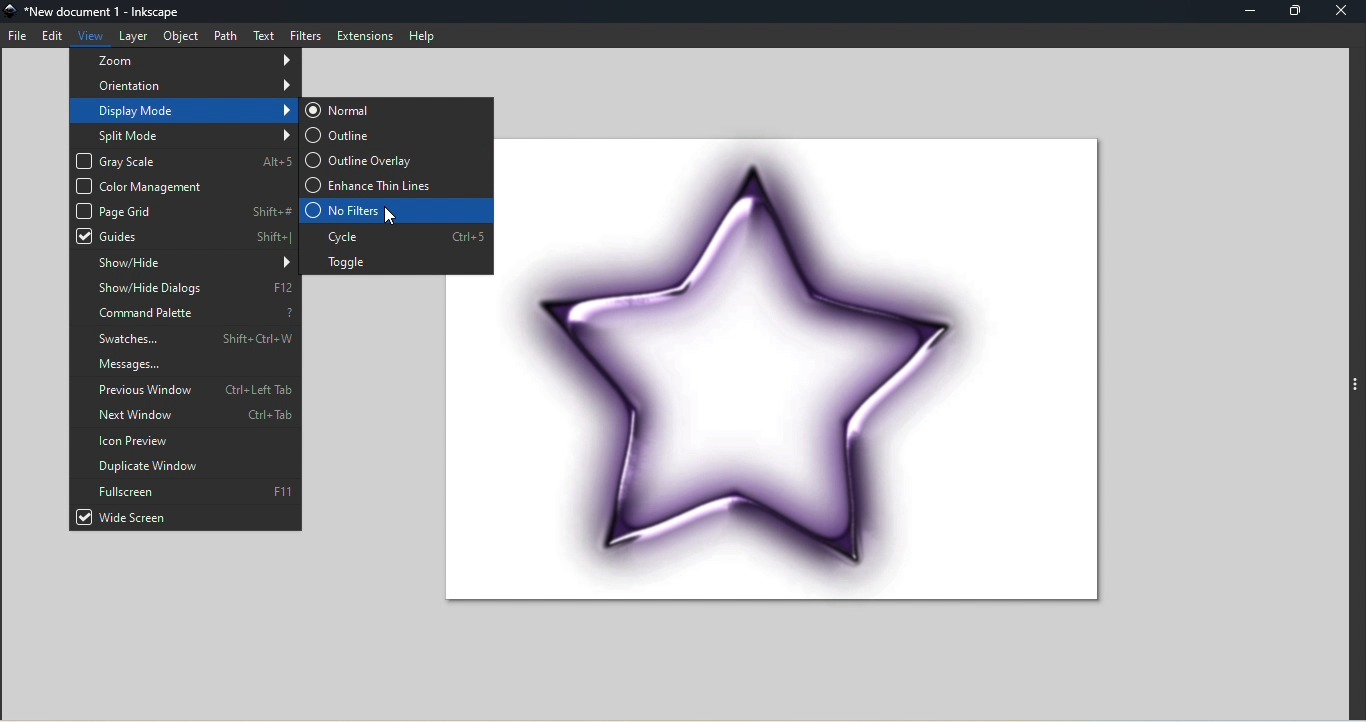 Image resolution: width=1366 pixels, height=722 pixels. What do you see at coordinates (261, 34) in the screenshot?
I see `Text` at bounding box center [261, 34].